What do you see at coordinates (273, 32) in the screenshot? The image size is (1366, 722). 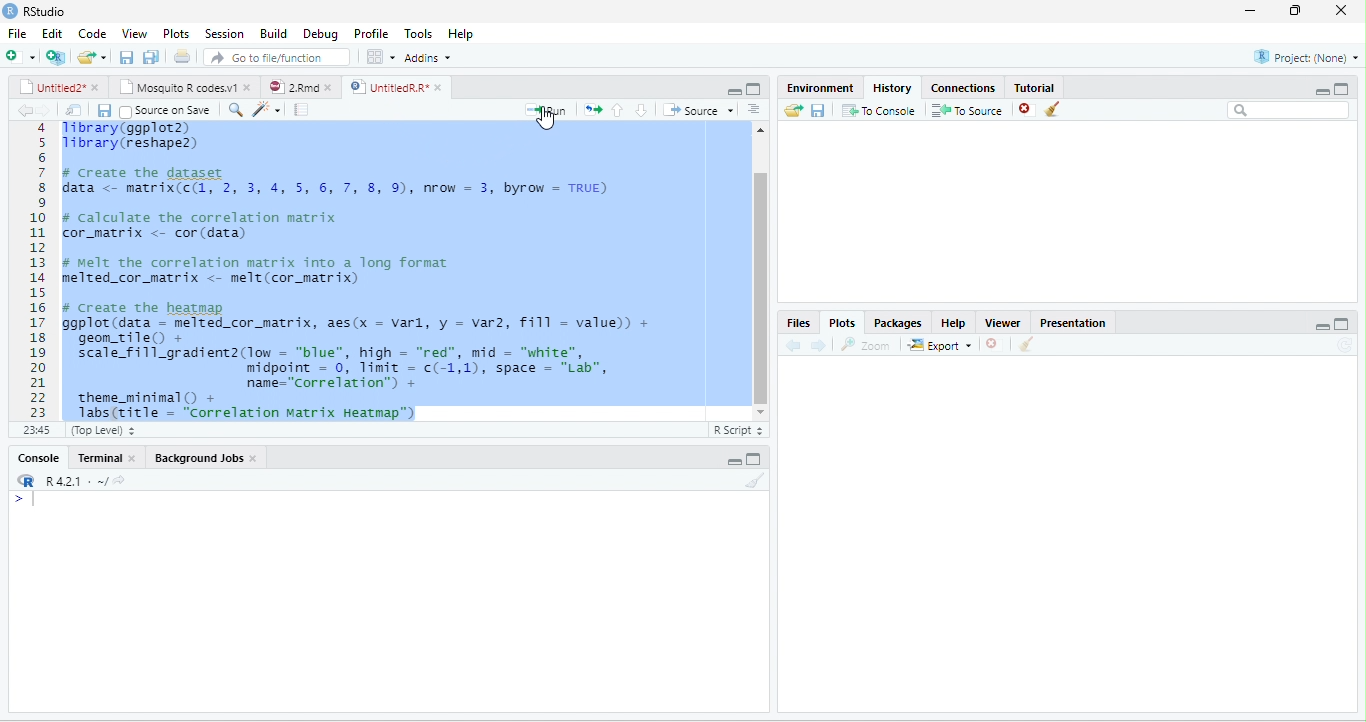 I see `build` at bounding box center [273, 32].